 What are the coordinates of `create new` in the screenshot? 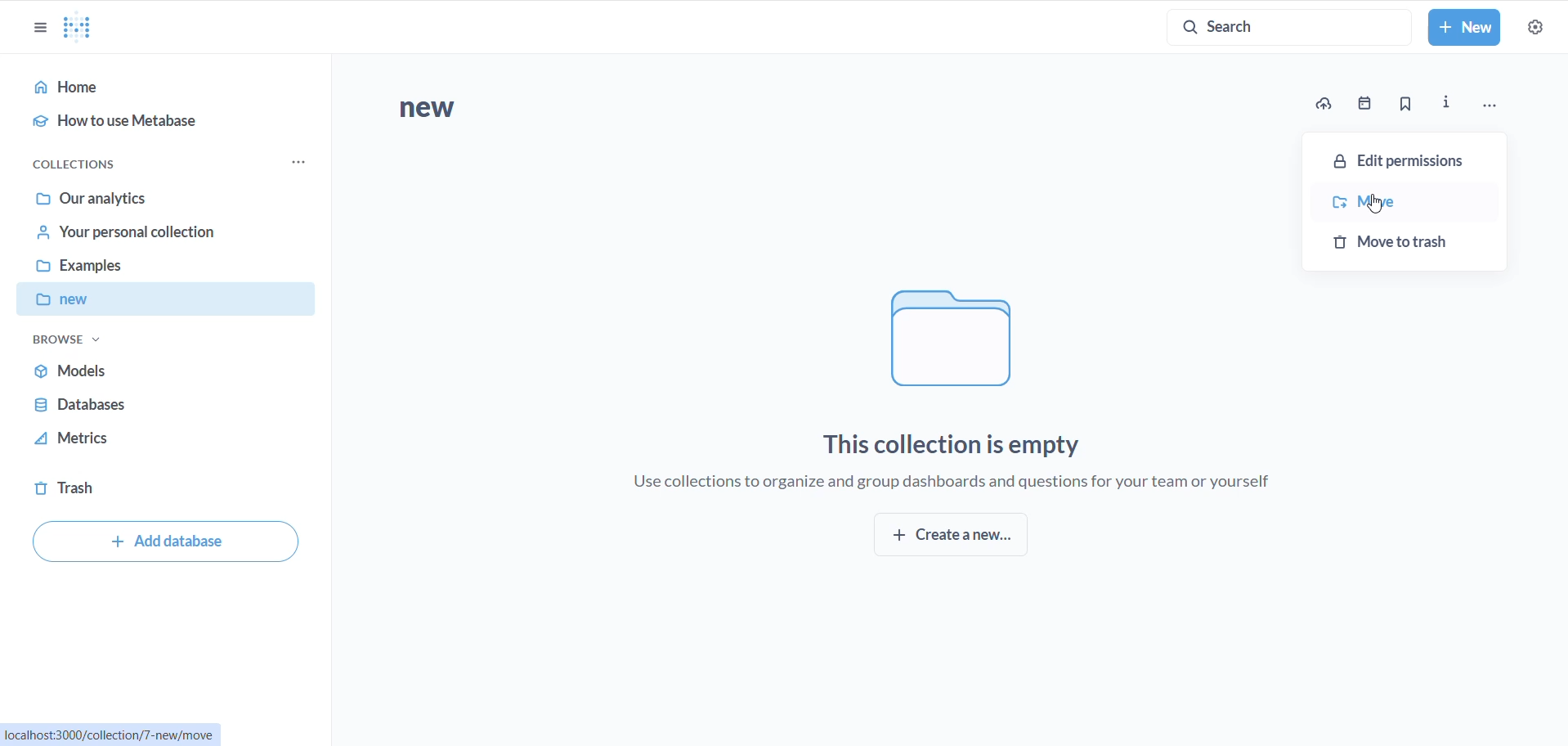 It's located at (959, 538).